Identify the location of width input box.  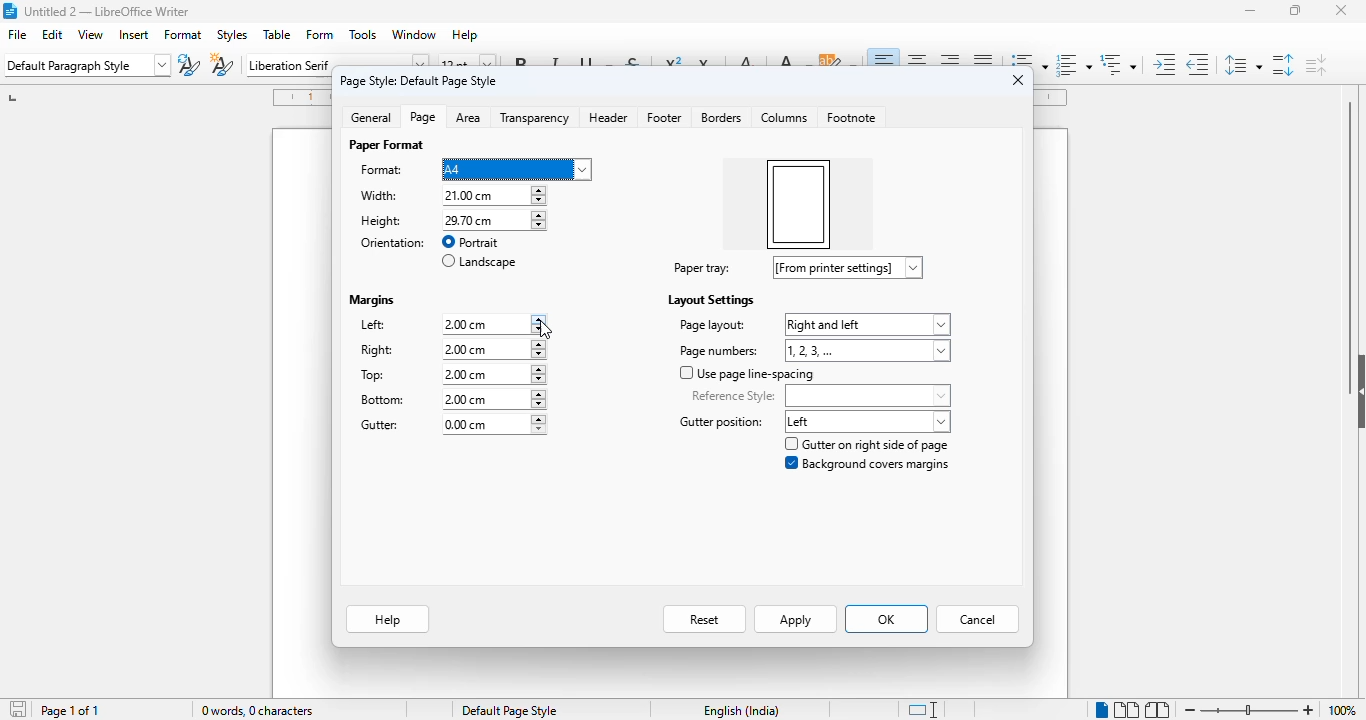
(479, 197).